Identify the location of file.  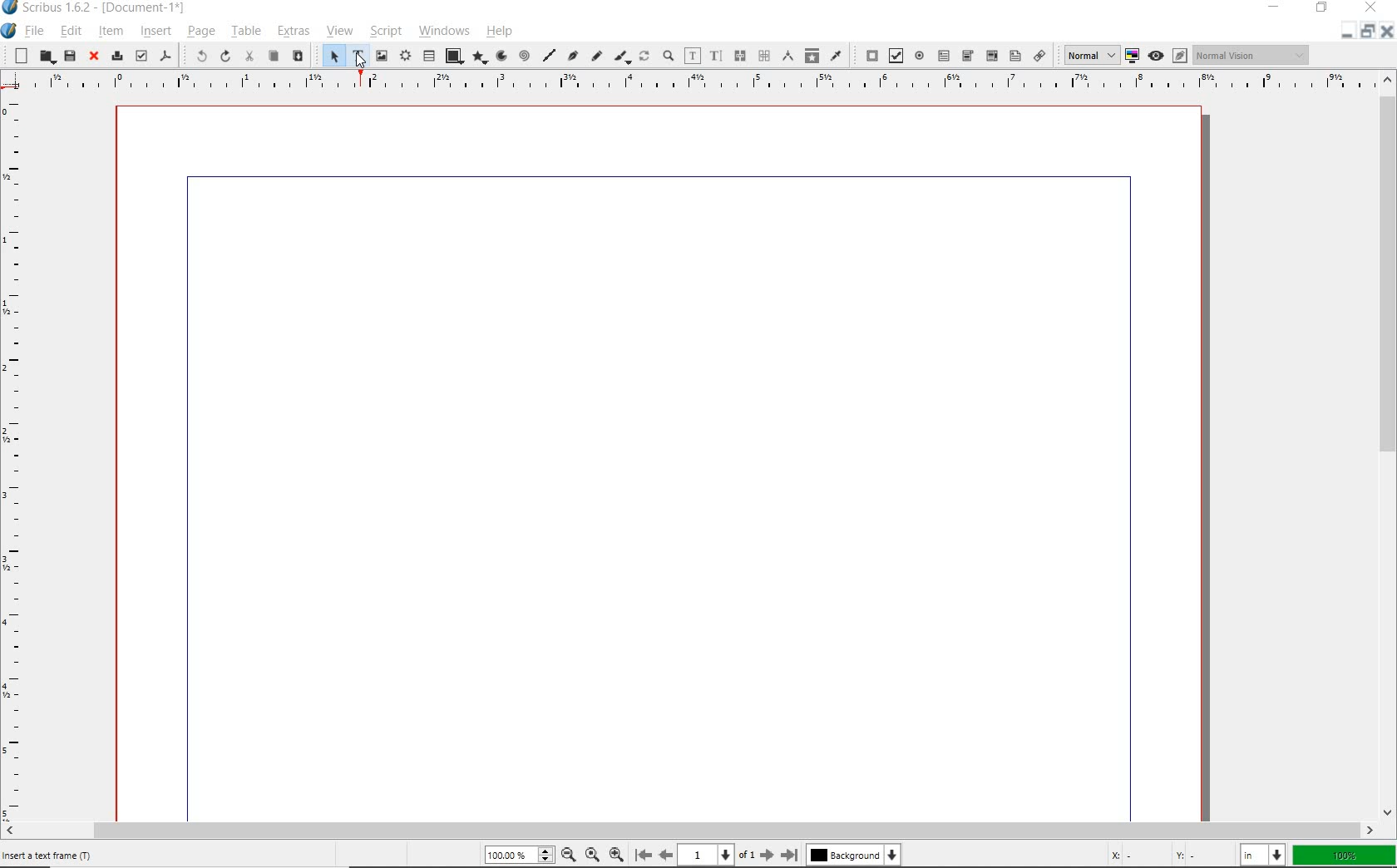
(34, 31).